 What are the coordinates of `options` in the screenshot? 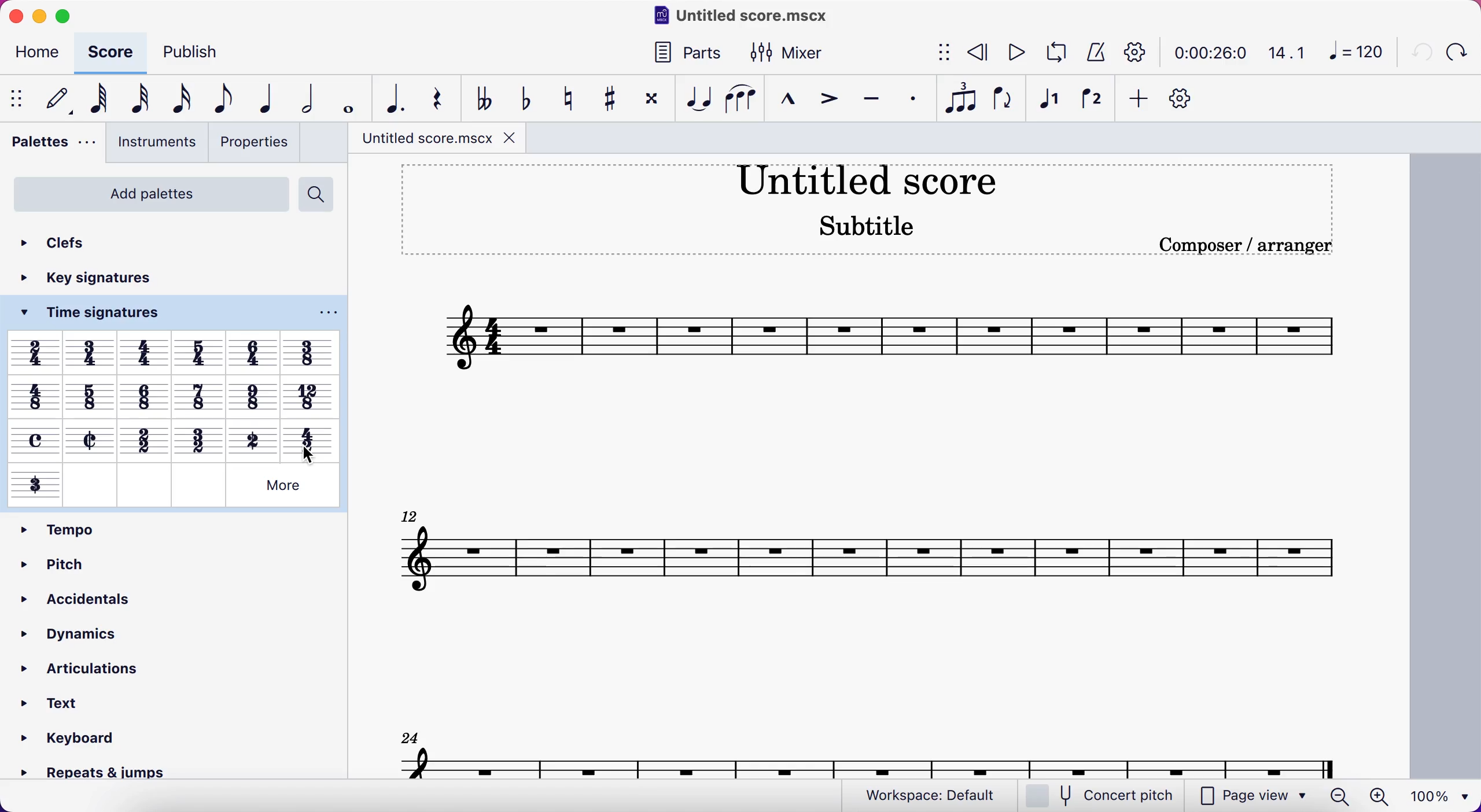 It's located at (323, 313).